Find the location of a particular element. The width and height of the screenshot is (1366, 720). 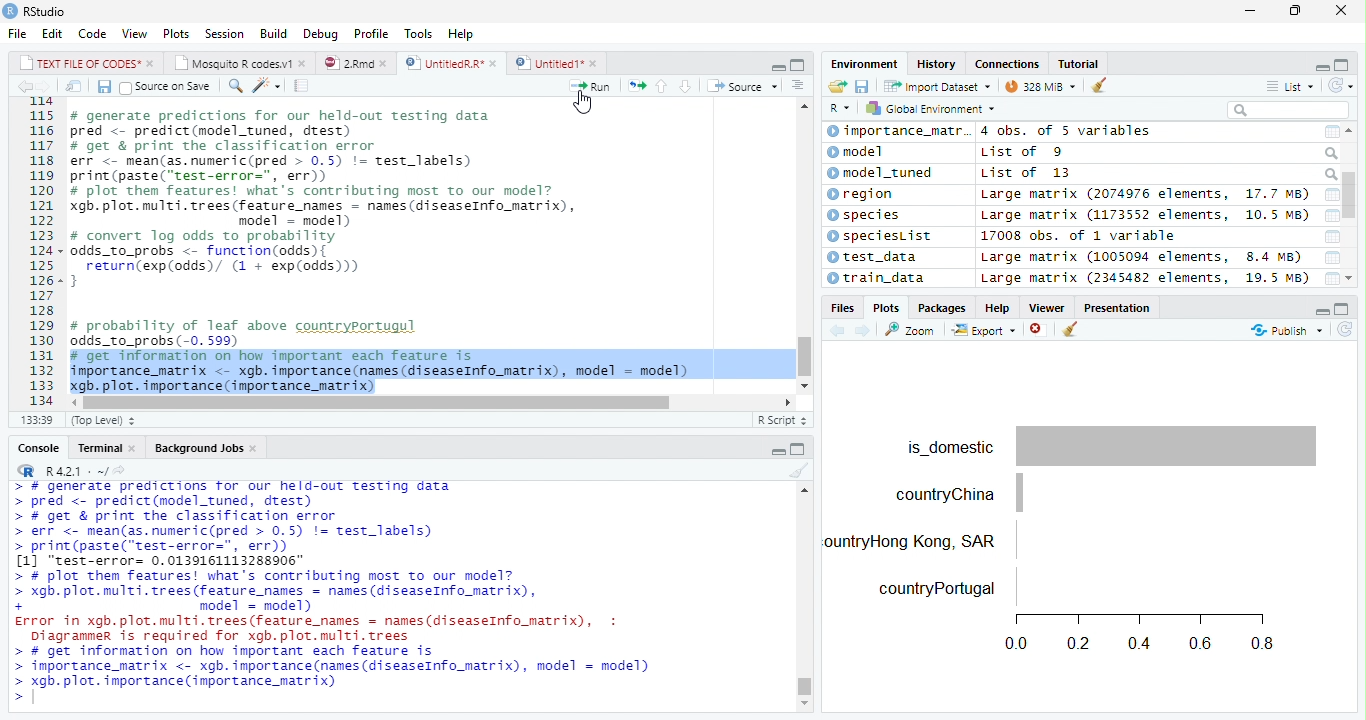

region is located at coordinates (860, 194).